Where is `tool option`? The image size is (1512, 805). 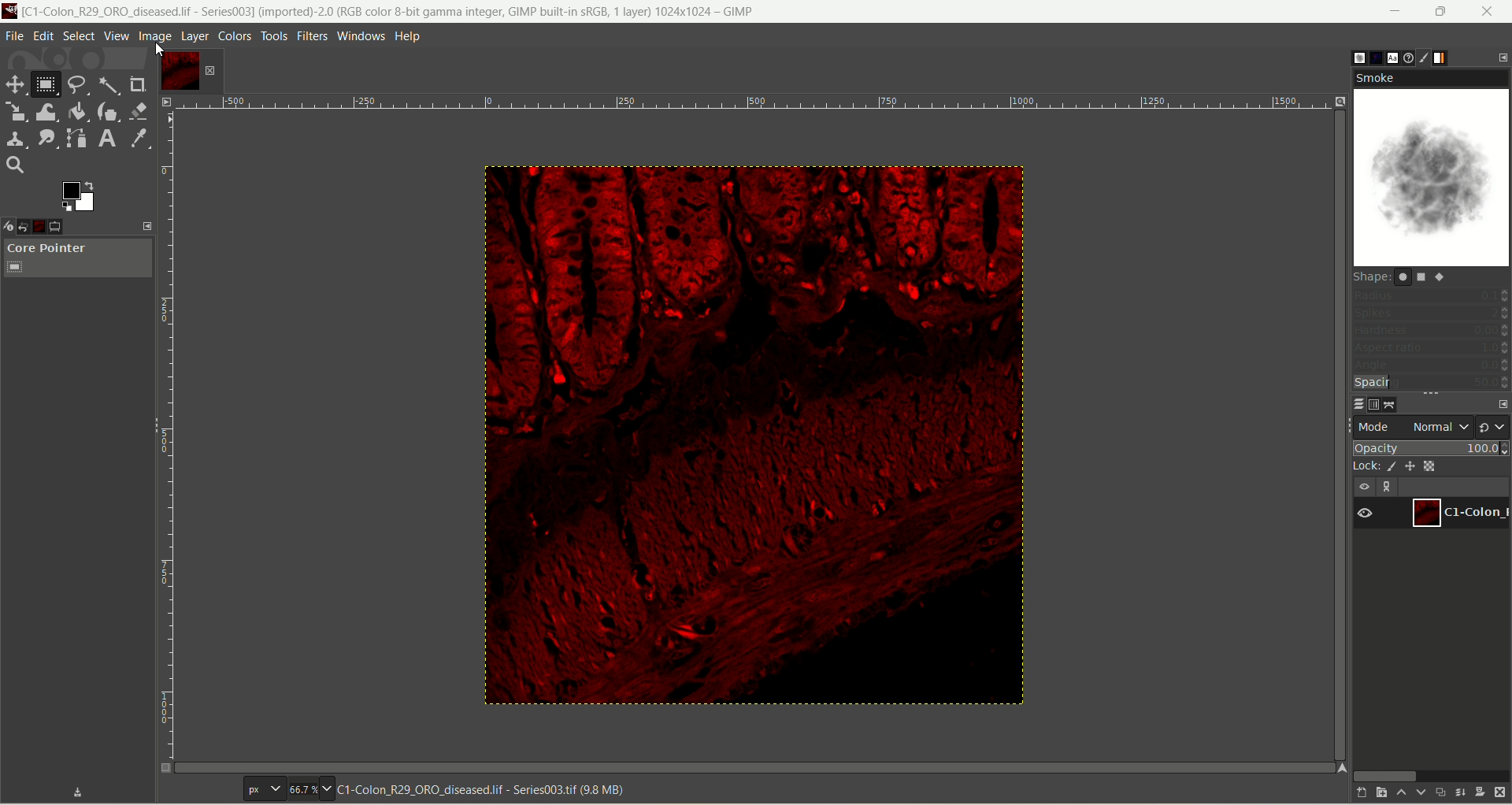
tool option is located at coordinates (57, 226).